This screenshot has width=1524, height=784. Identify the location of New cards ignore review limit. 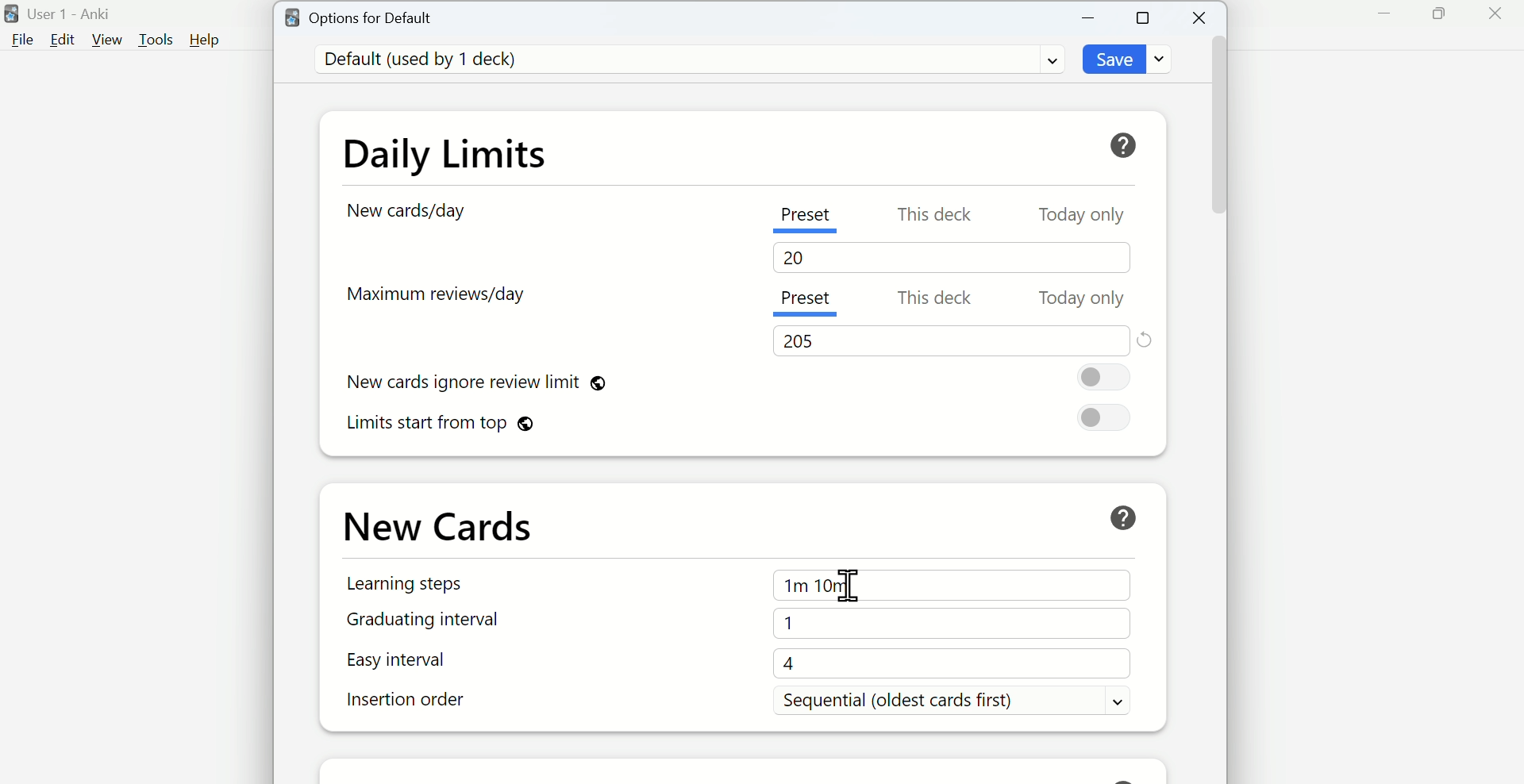
(496, 379).